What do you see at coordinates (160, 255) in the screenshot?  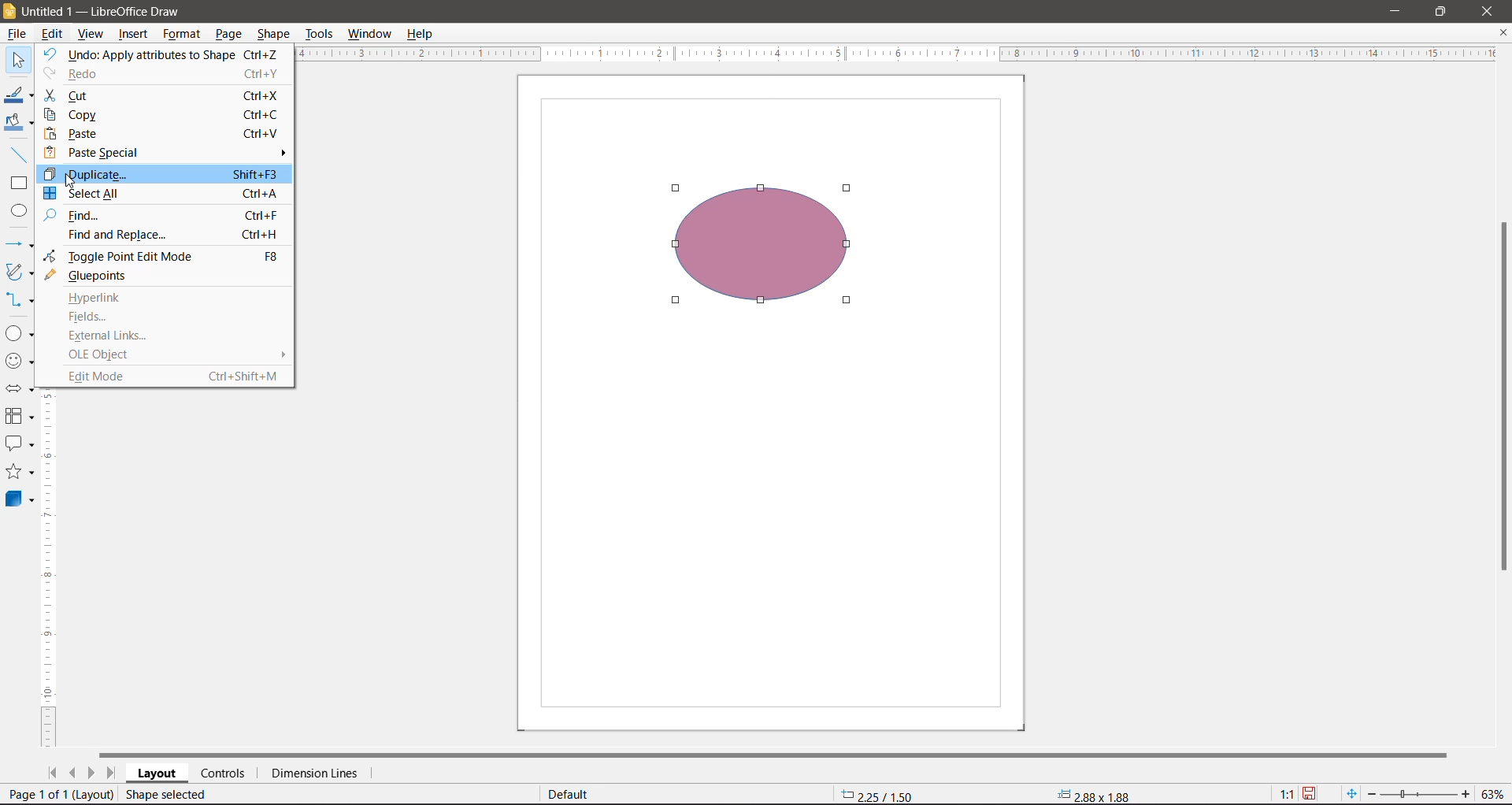 I see `Toggle Point Edit Mode` at bounding box center [160, 255].